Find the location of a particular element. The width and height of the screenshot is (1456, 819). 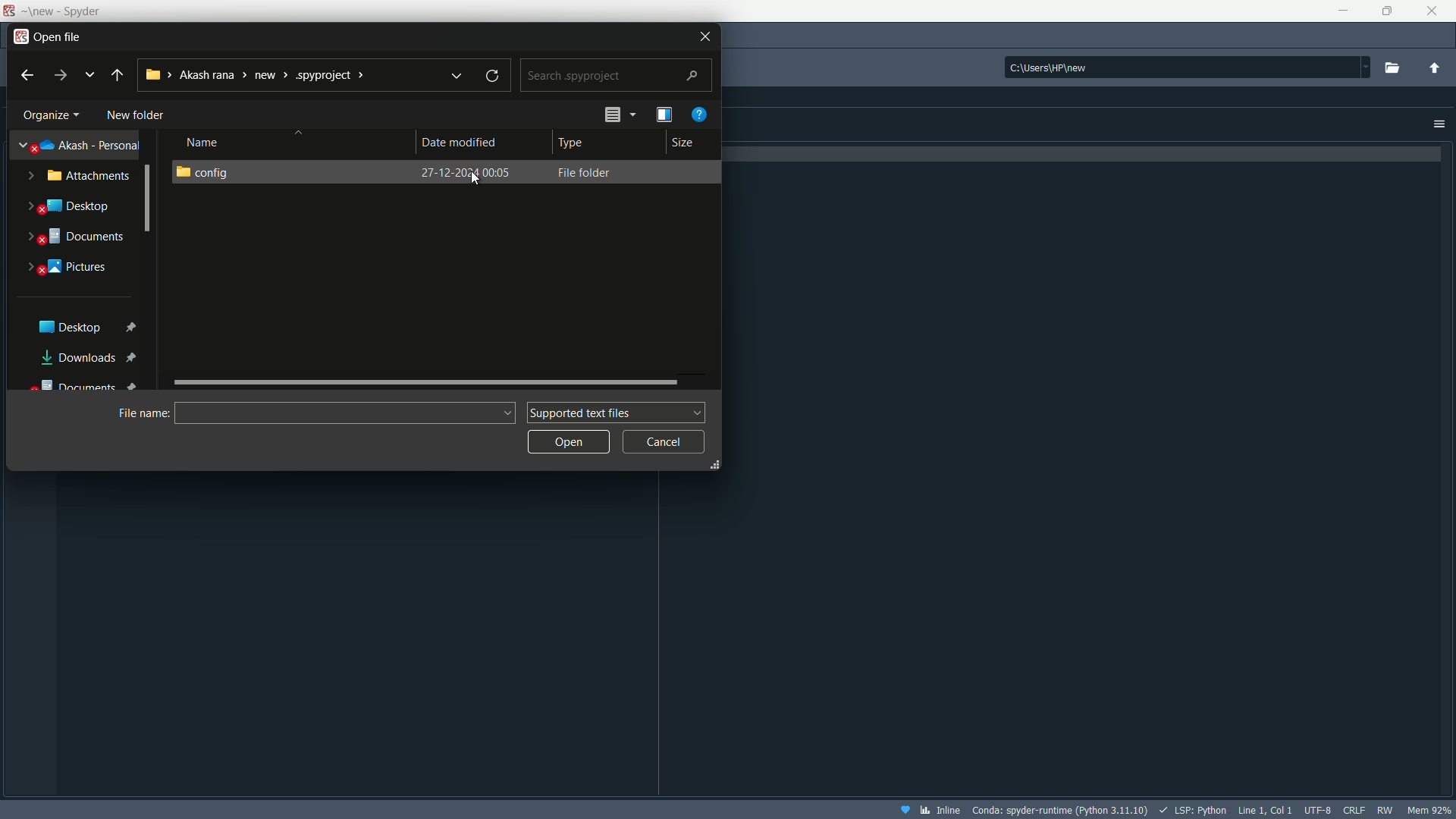

recent locations is located at coordinates (87, 75).